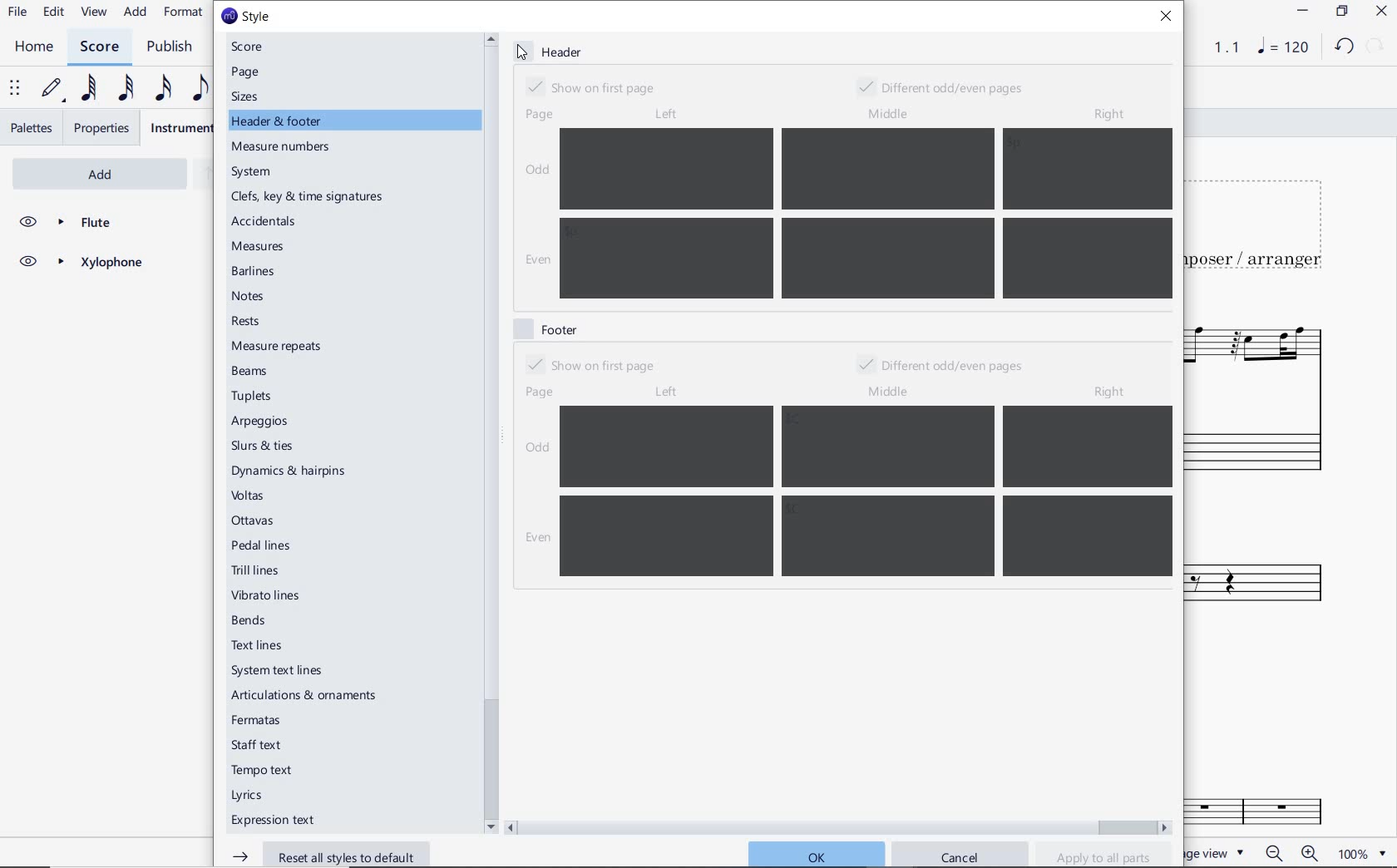 The height and width of the screenshot is (868, 1397). What do you see at coordinates (890, 111) in the screenshot?
I see `middle` at bounding box center [890, 111].